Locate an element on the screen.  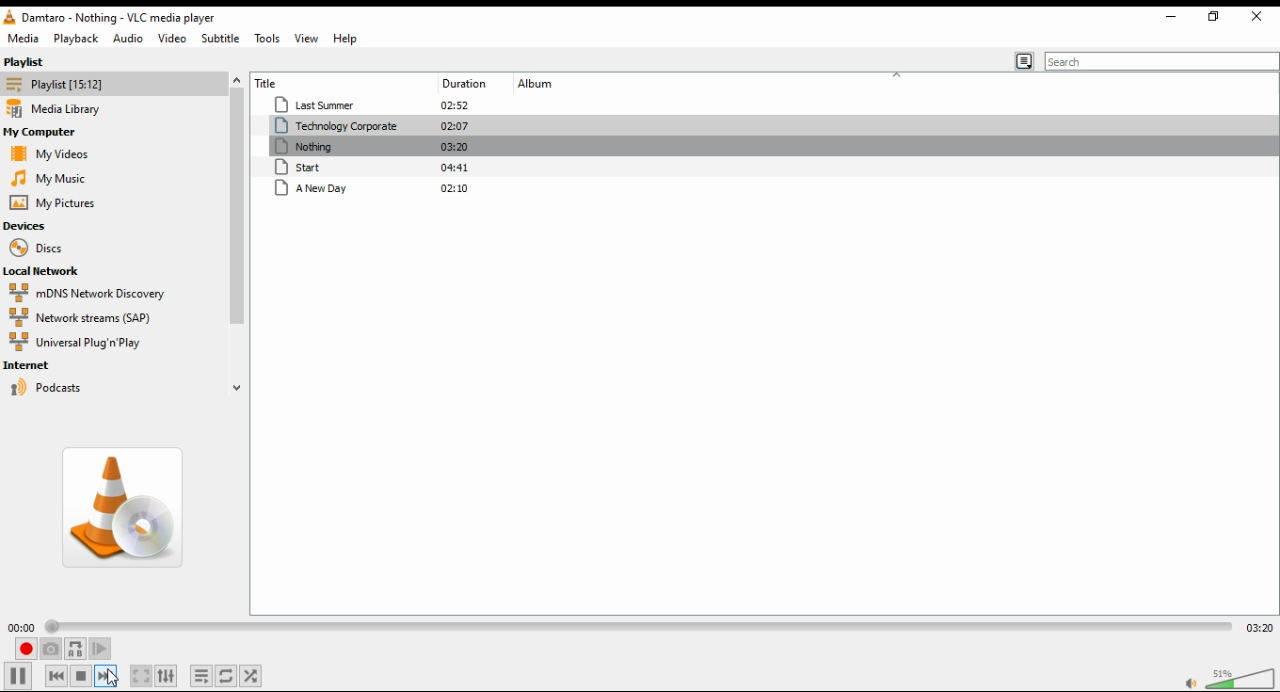
mouse on next media in playlist, skips forward when held is located at coordinates (109, 676).